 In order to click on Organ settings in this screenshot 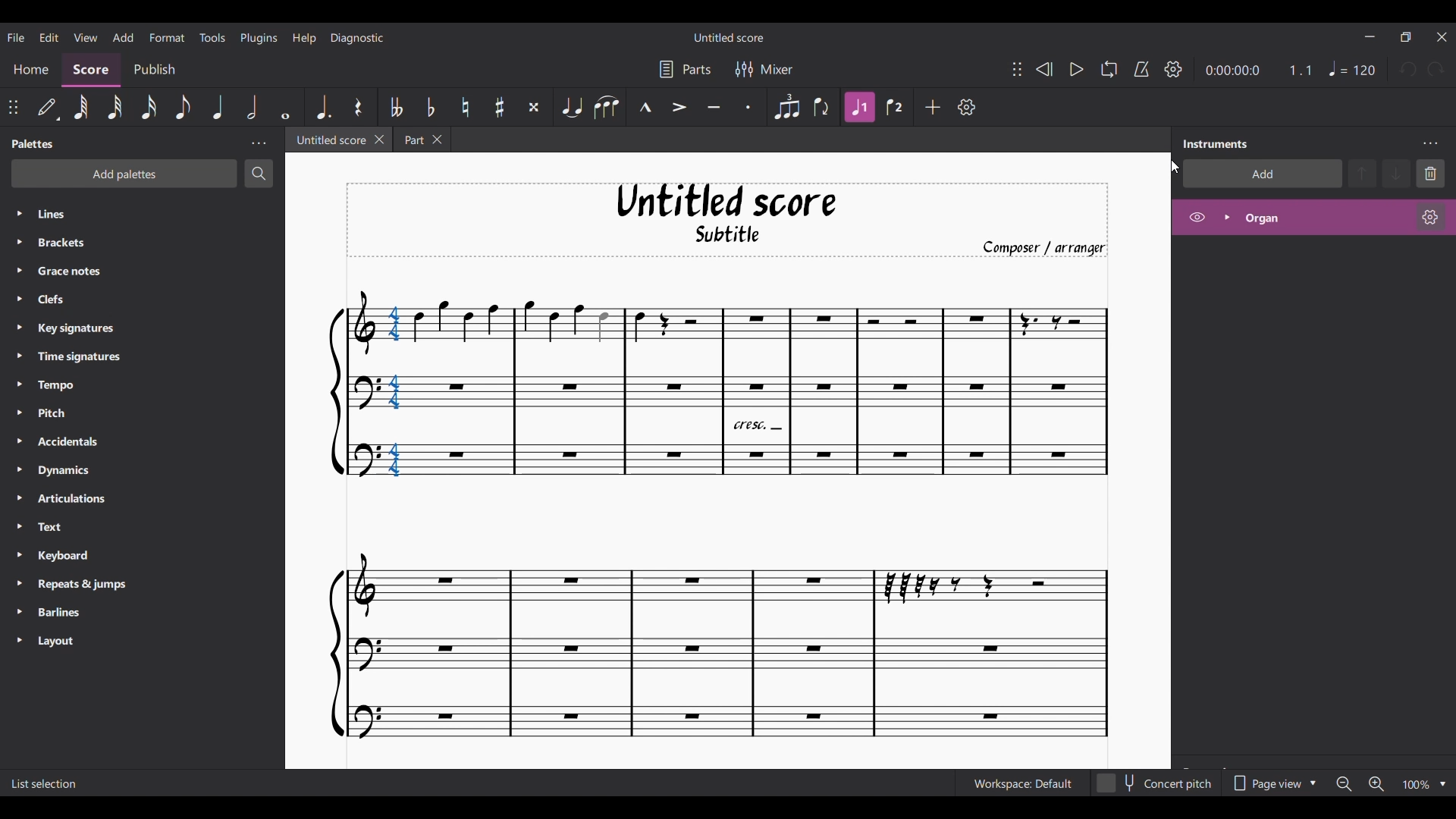, I will do `click(1430, 217)`.